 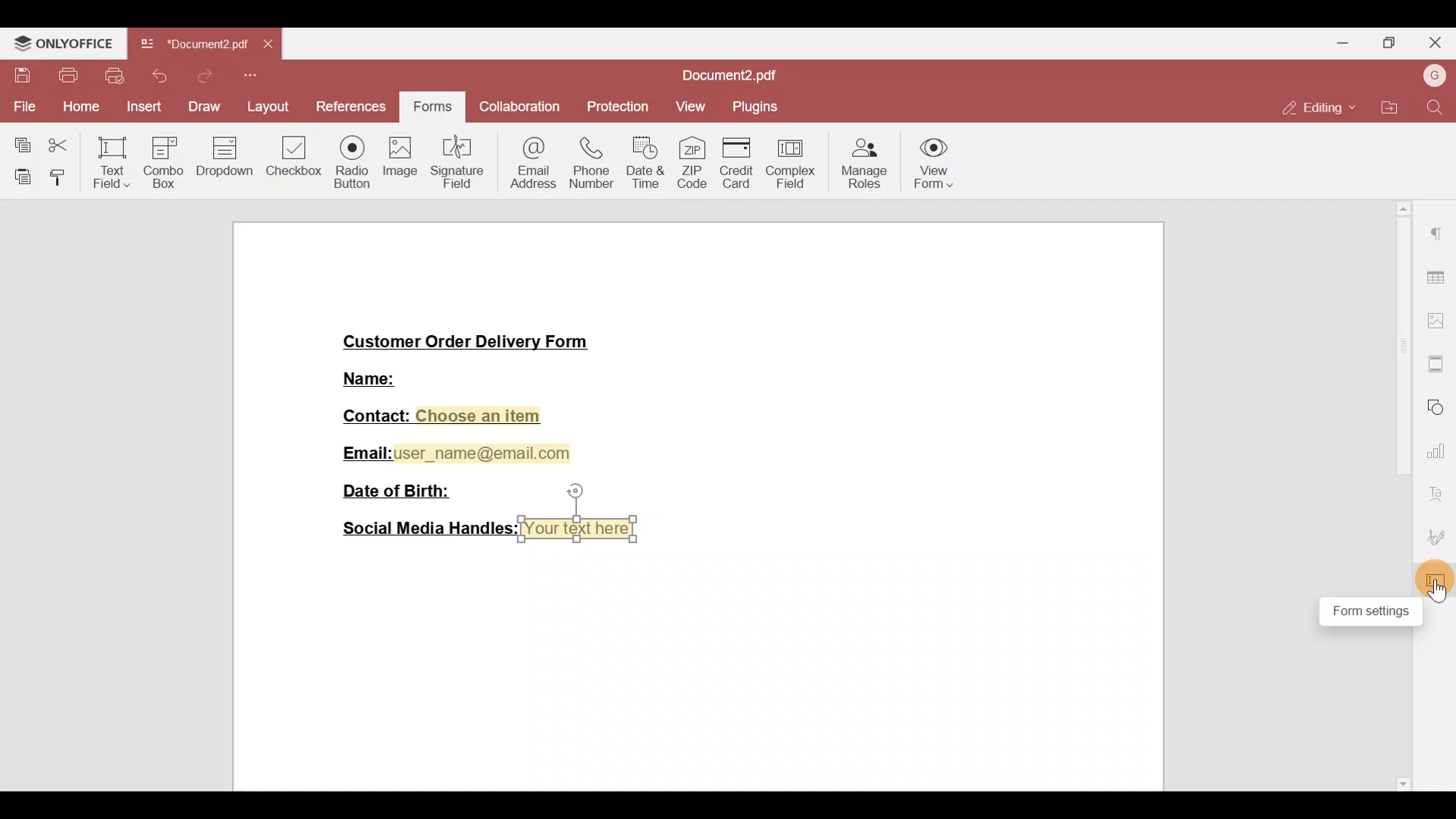 I want to click on Collaboration, so click(x=521, y=108).